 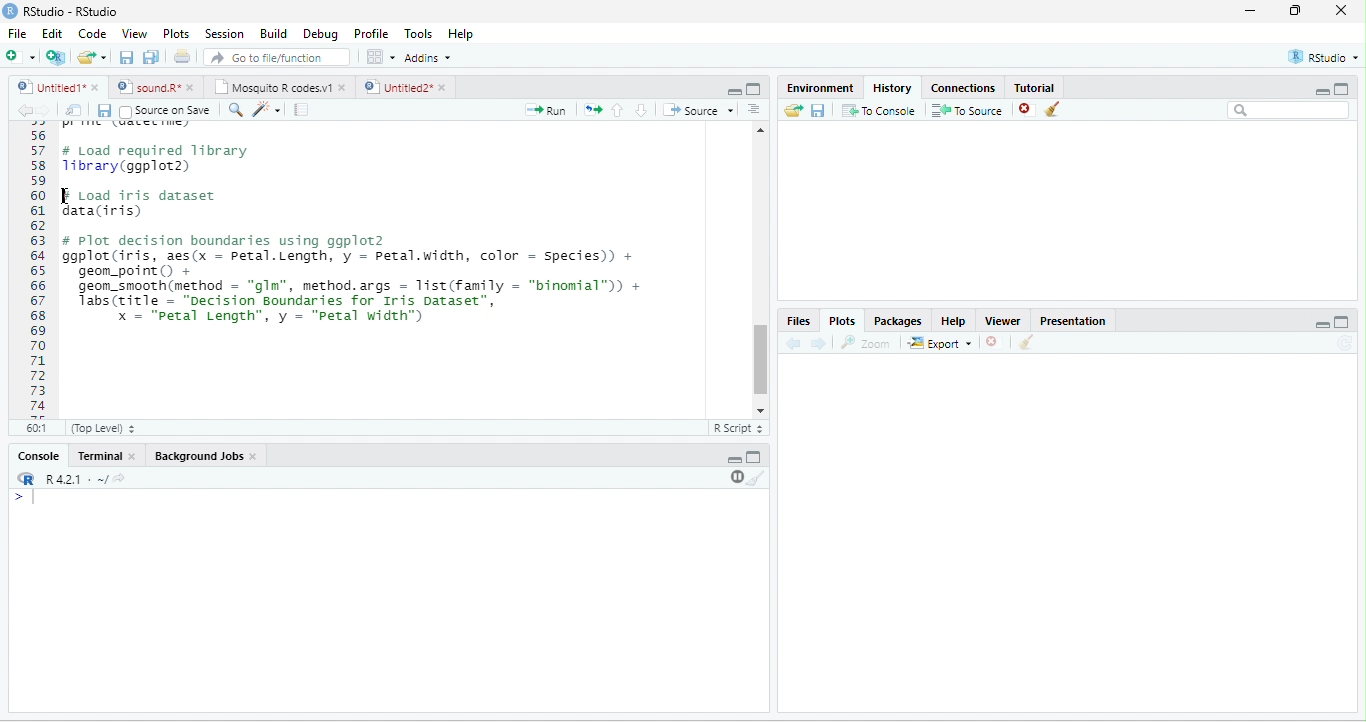 What do you see at coordinates (367, 305) in the screenshot?
I see `geom_smooth(method = gim , method.args = list(Tamily = binomial )) +
Tabs(title - “Decision Boundaries for Iris Dataset”,
x = "petal Length”, y = "Petal width")` at bounding box center [367, 305].